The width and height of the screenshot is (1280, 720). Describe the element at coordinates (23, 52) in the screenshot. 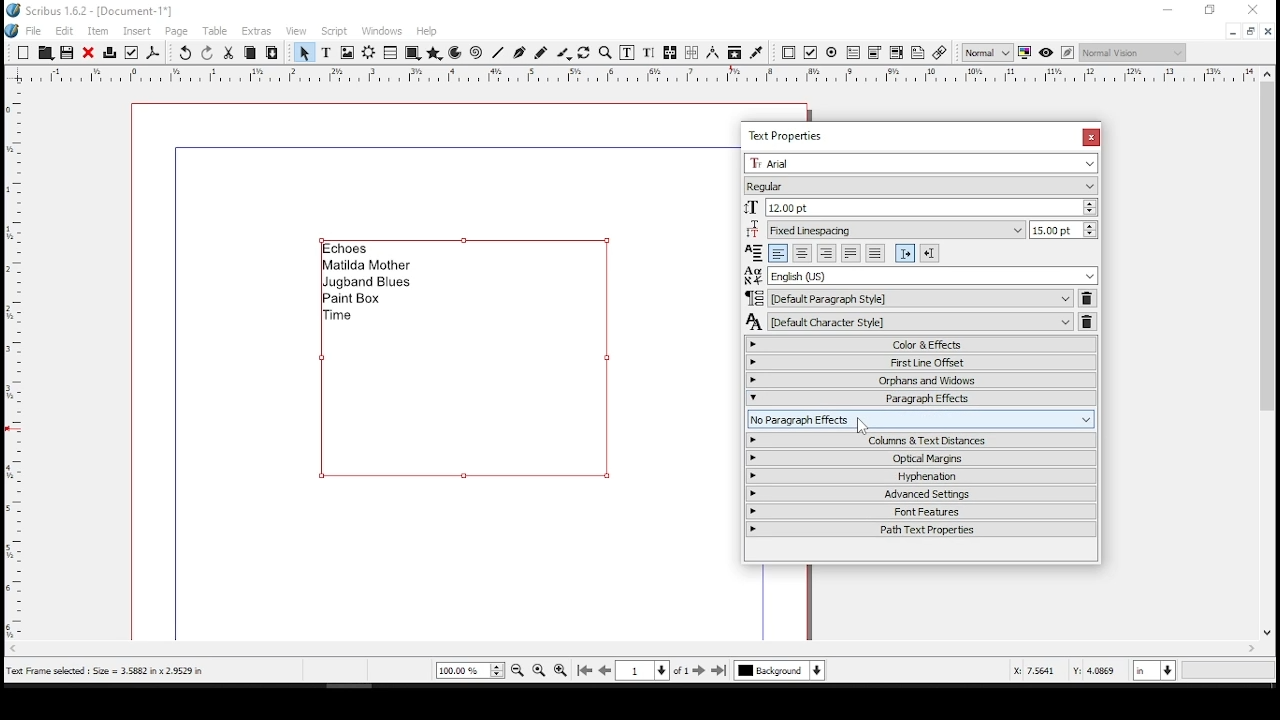

I see `new` at that location.